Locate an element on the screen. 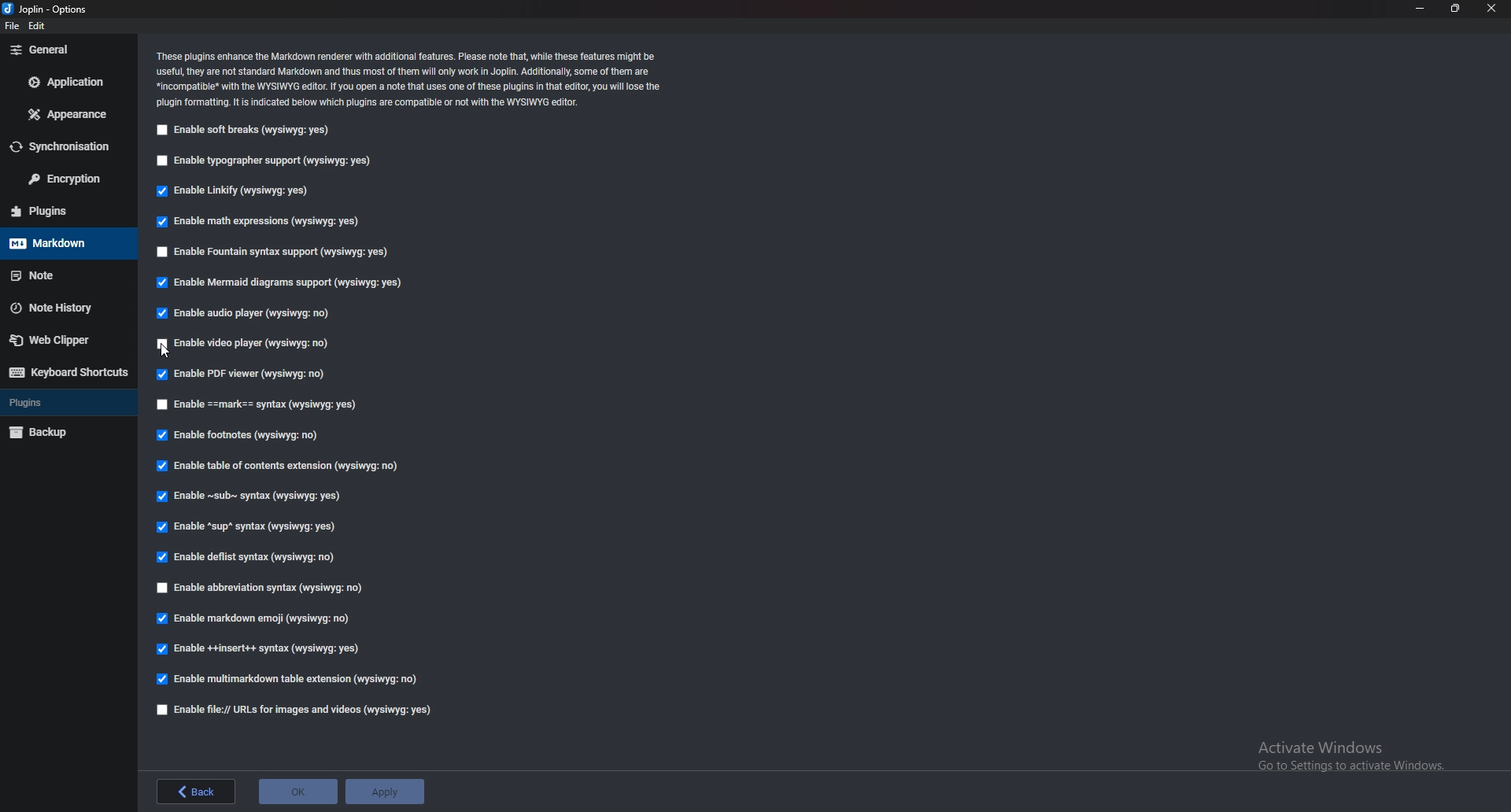  enable typographer support is located at coordinates (265, 164).